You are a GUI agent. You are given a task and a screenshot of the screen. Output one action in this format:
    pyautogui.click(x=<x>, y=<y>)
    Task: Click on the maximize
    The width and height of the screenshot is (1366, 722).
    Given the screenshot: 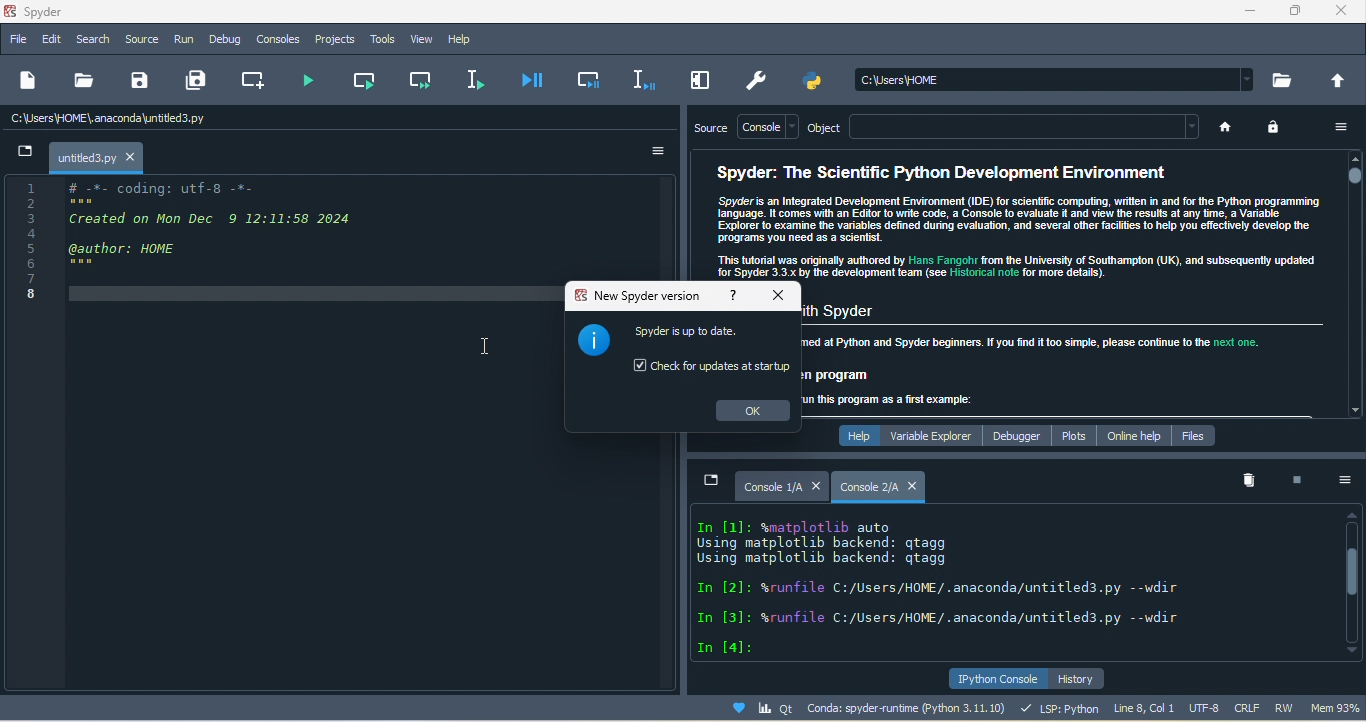 What is the action you would take?
    pyautogui.click(x=1295, y=12)
    